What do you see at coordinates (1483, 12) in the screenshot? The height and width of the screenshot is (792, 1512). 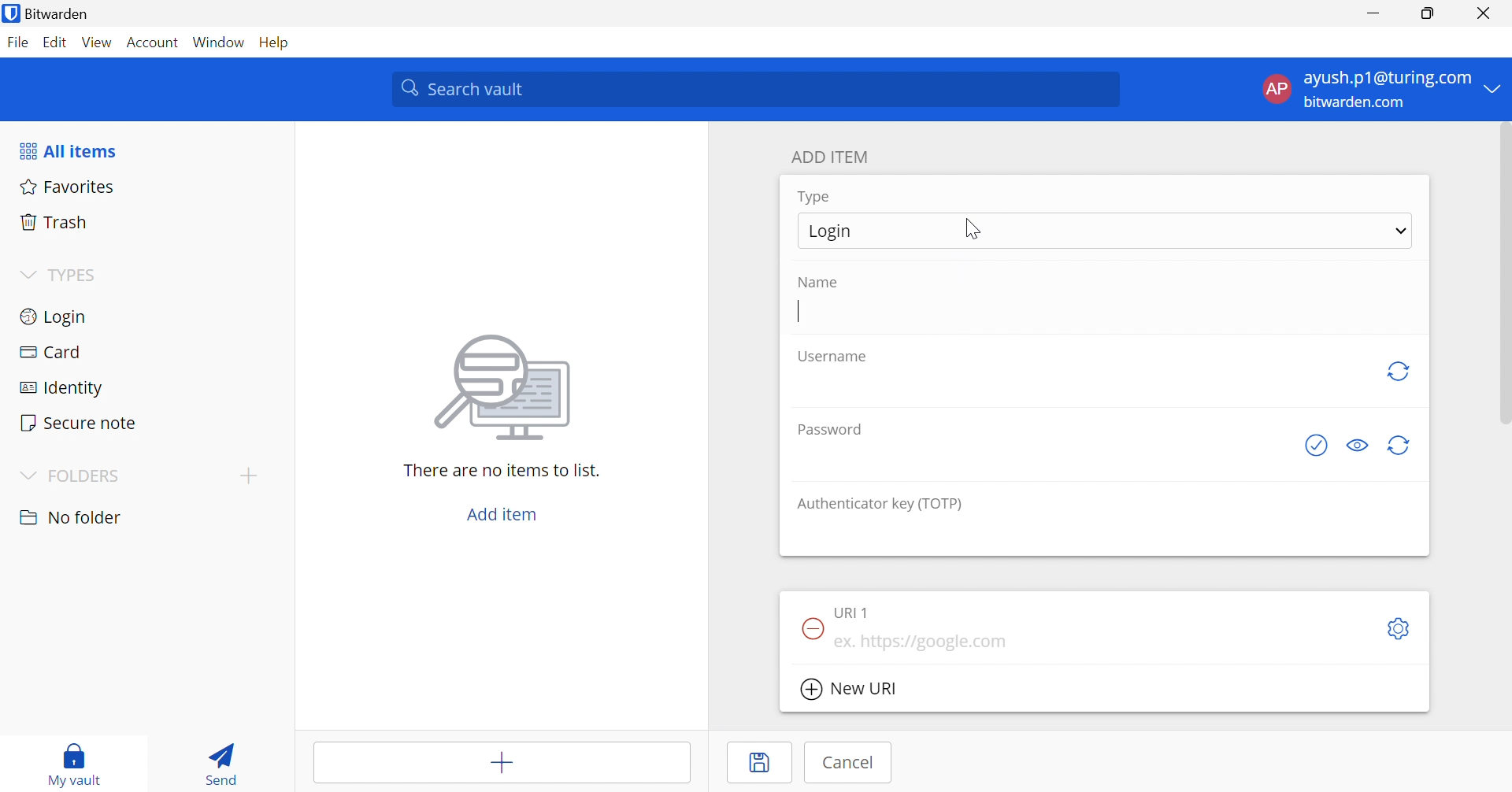 I see `Close` at bounding box center [1483, 12].